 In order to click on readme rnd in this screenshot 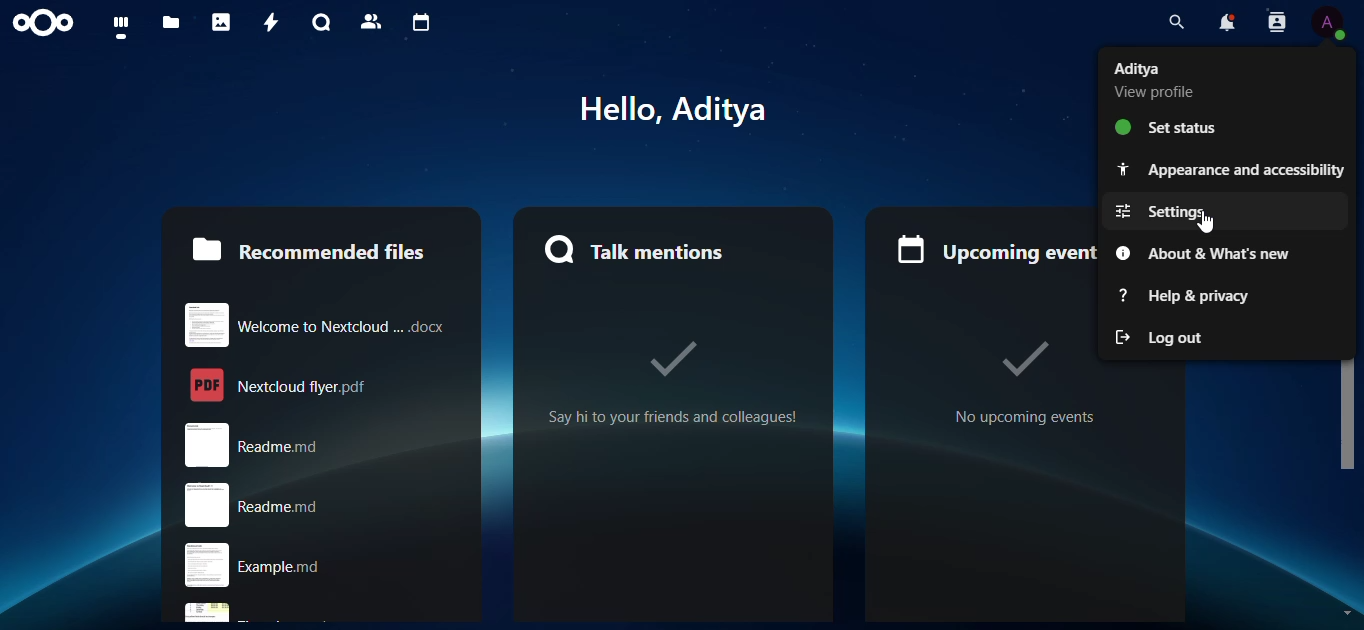, I will do `click(310, 505)`.